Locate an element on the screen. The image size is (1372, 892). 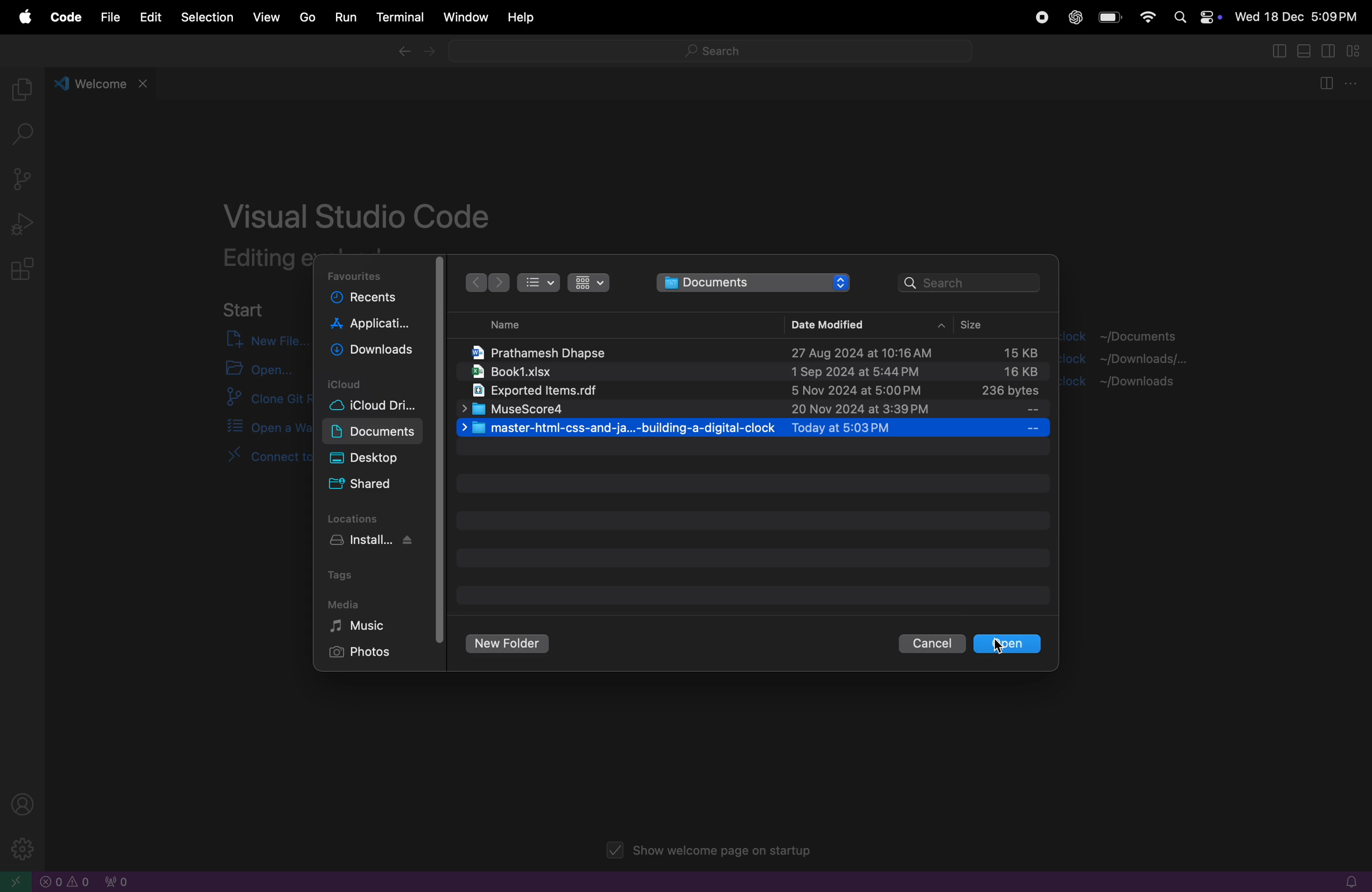
alert is located at coordinates (1345, 882).